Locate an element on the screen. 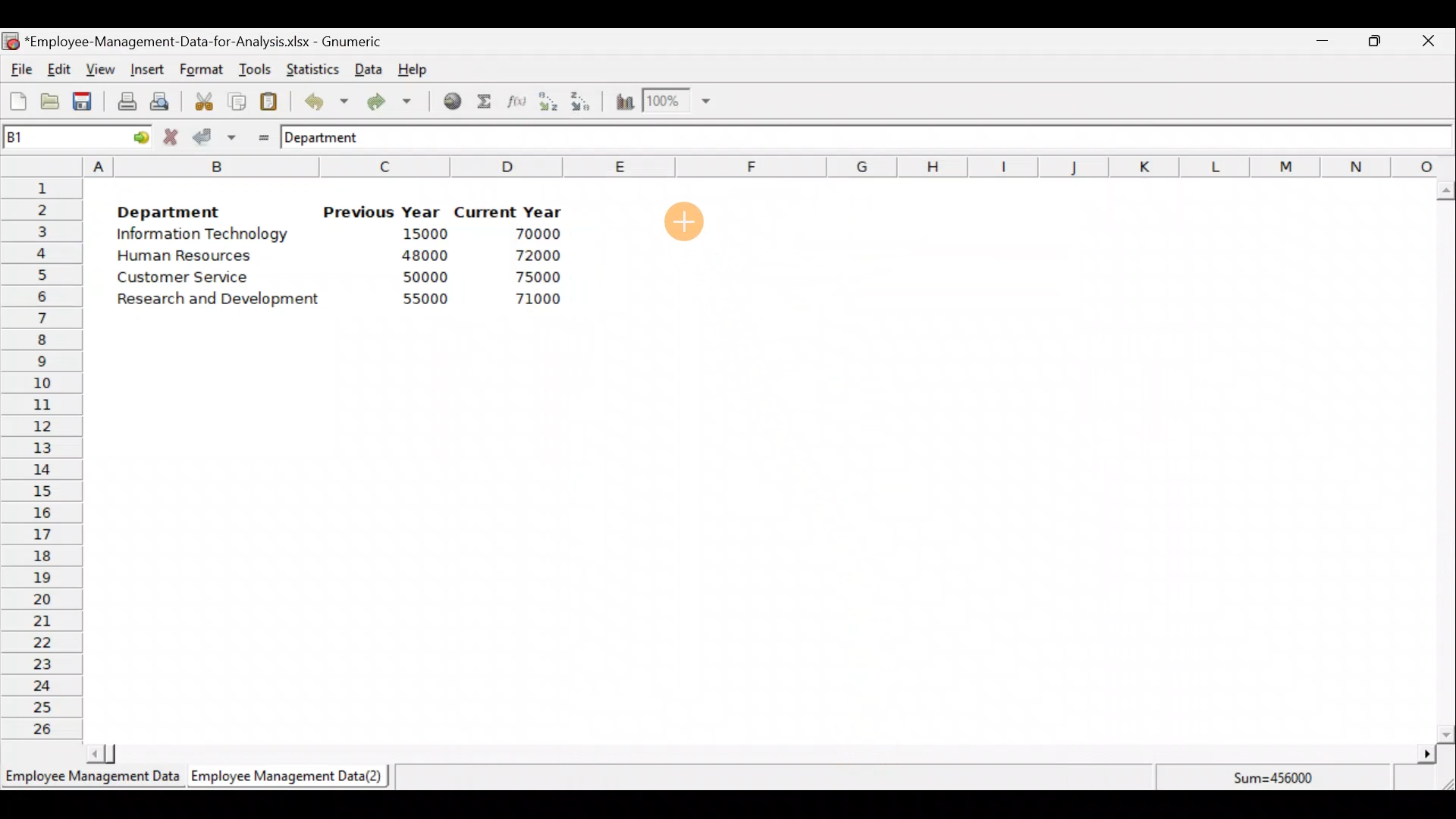 The width and height of the screenshot is (1456, 819). Save the current workbook is located at coordinates (87, 104).